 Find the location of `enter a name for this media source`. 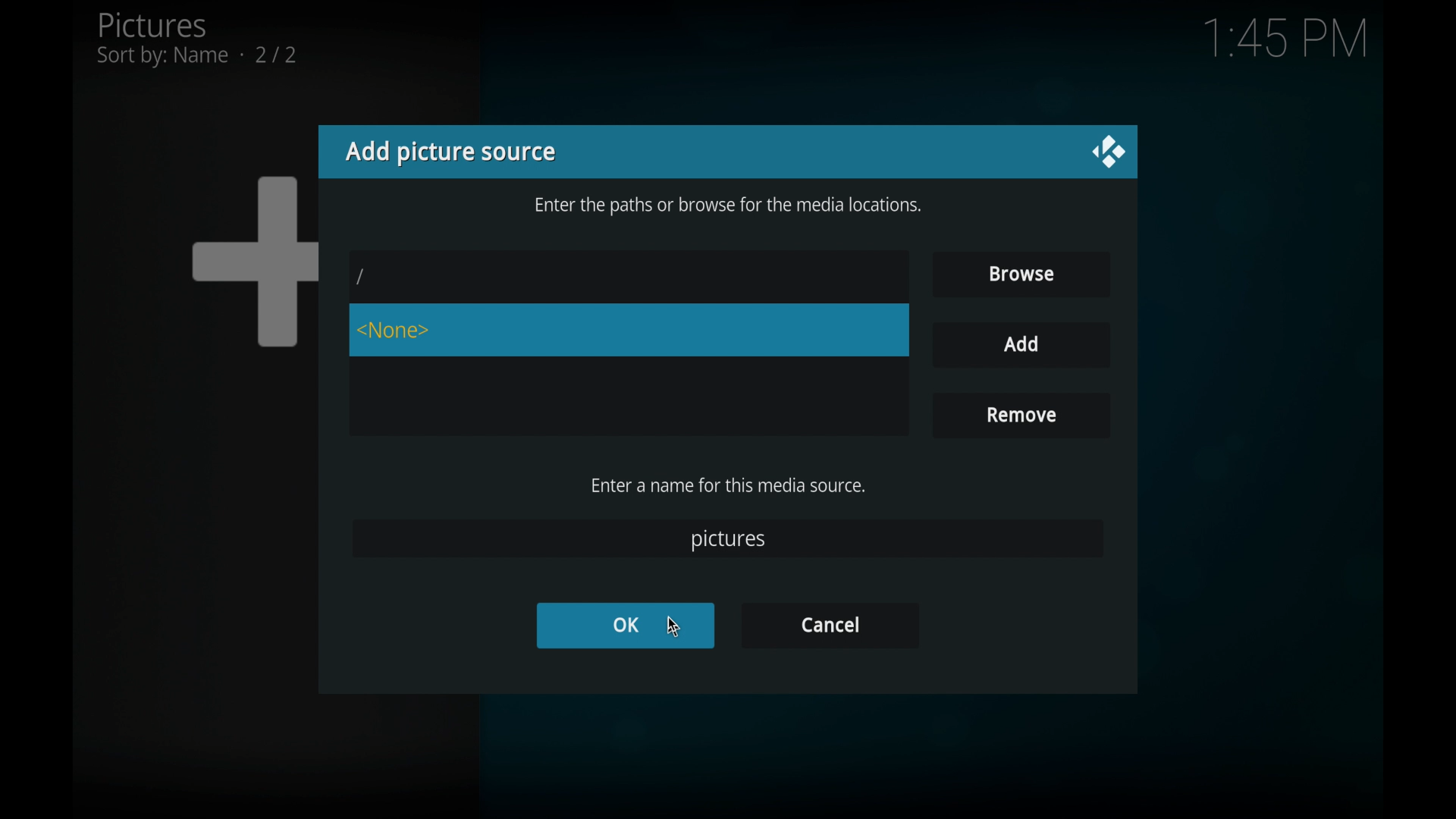

enter a name for this media source is located at coordinates (728, 485).